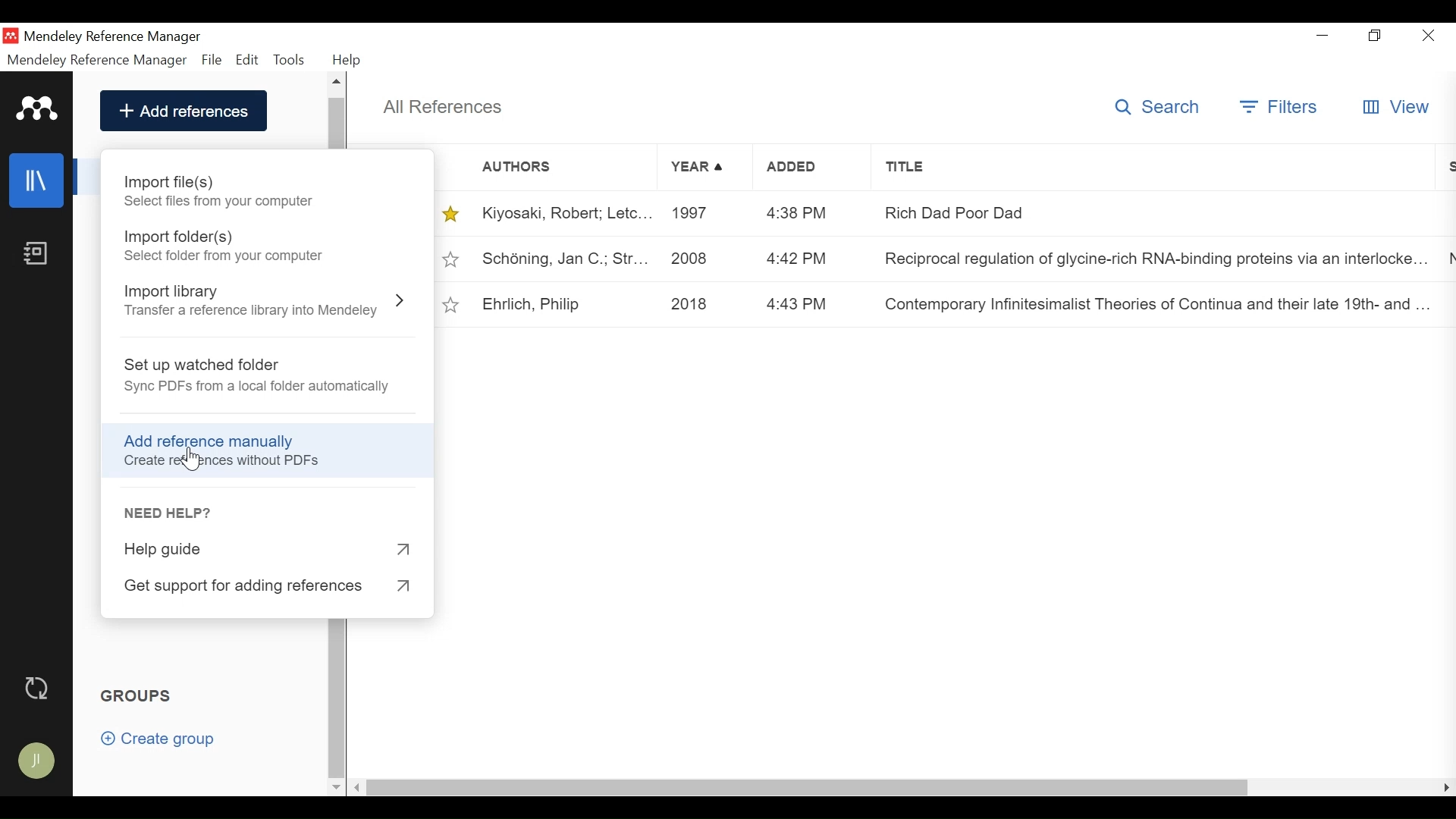 The width and height of the screenshot is (1456, 819). What do you see at coordinates (38, 762) in the screenshot?
I see `Avatar` at bounding box center [38, 762].